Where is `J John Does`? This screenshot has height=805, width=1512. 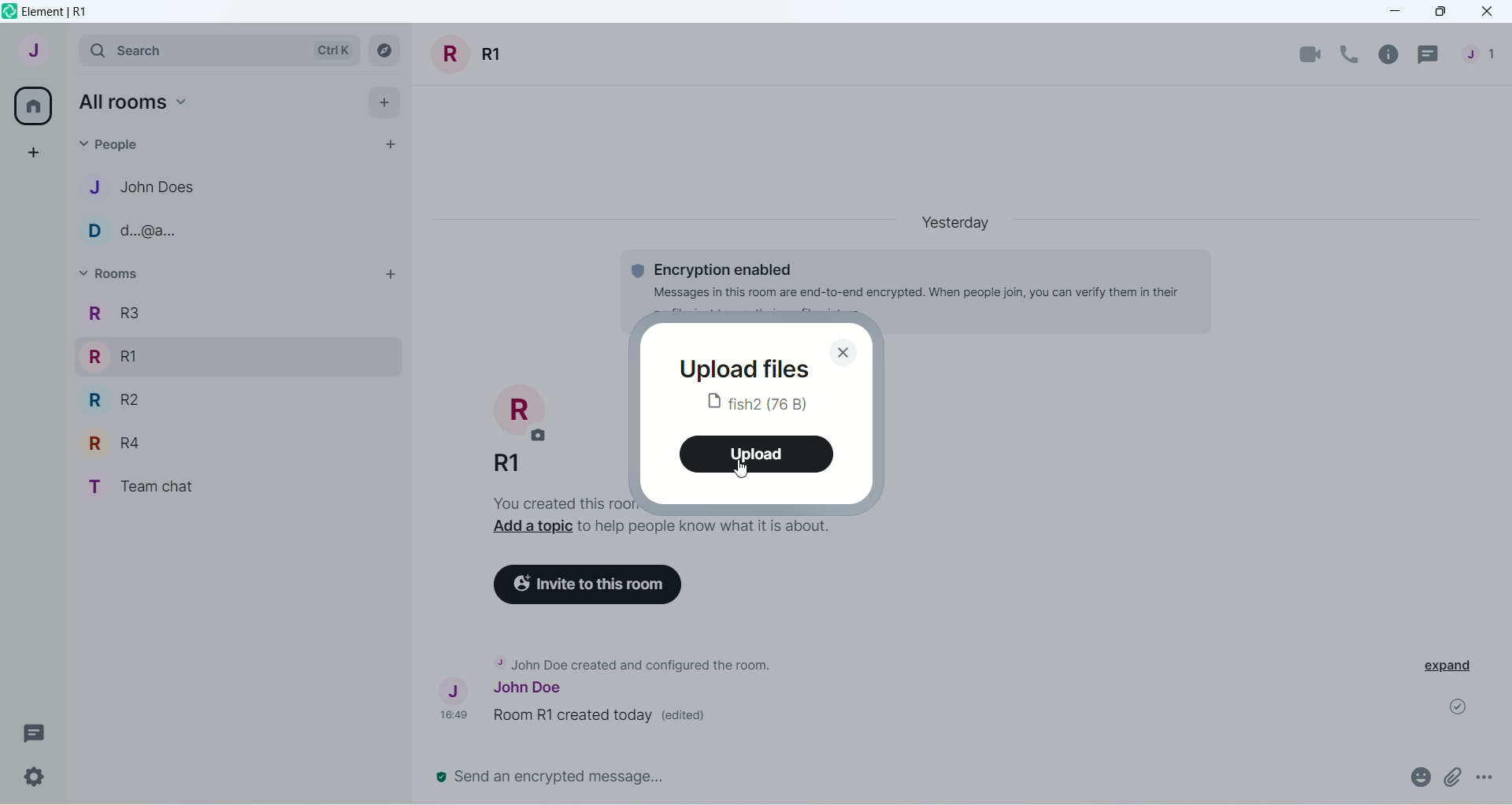
J John Does is located at coordinates (133, 189).